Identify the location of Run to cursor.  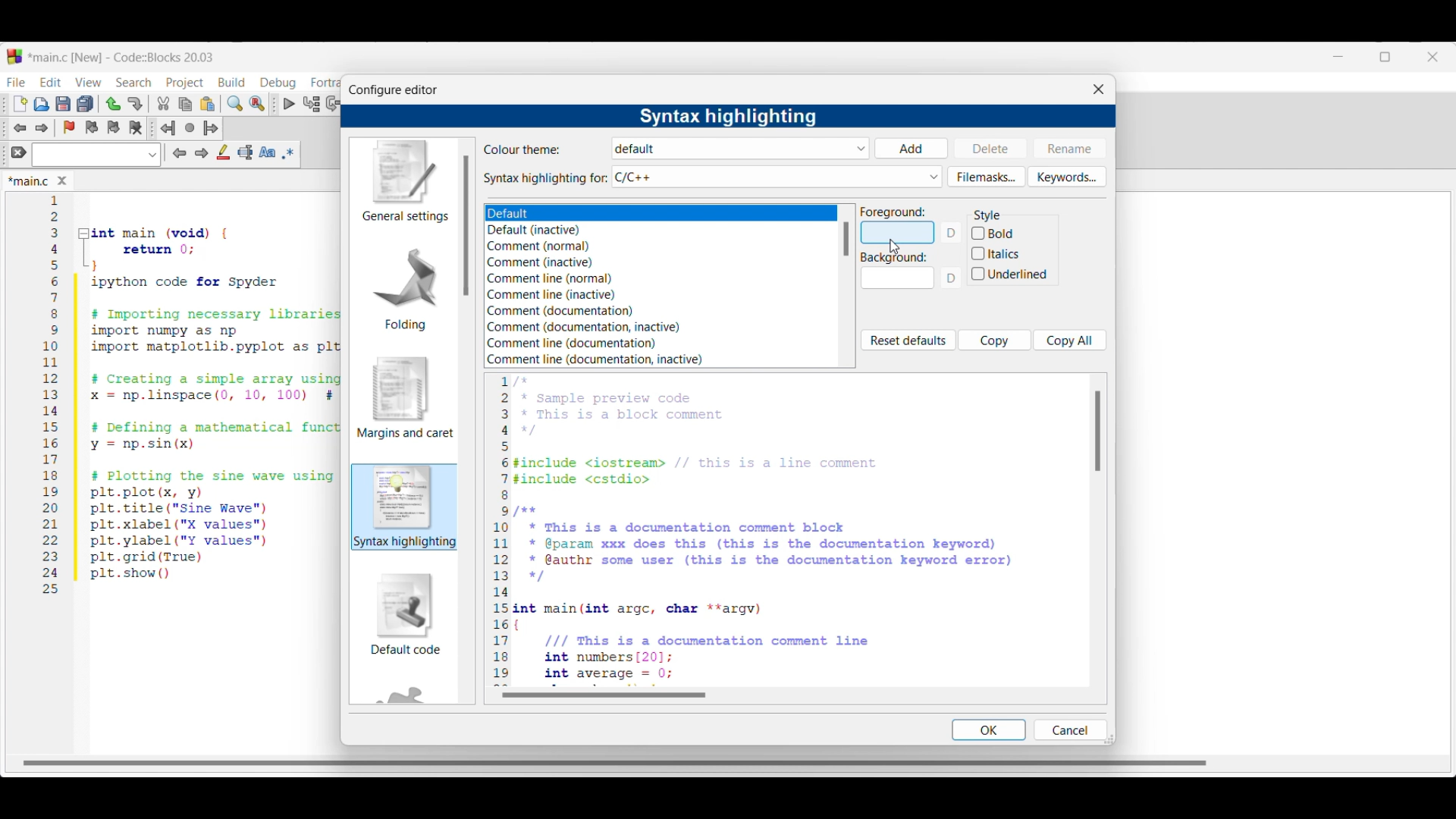
(312, 103).